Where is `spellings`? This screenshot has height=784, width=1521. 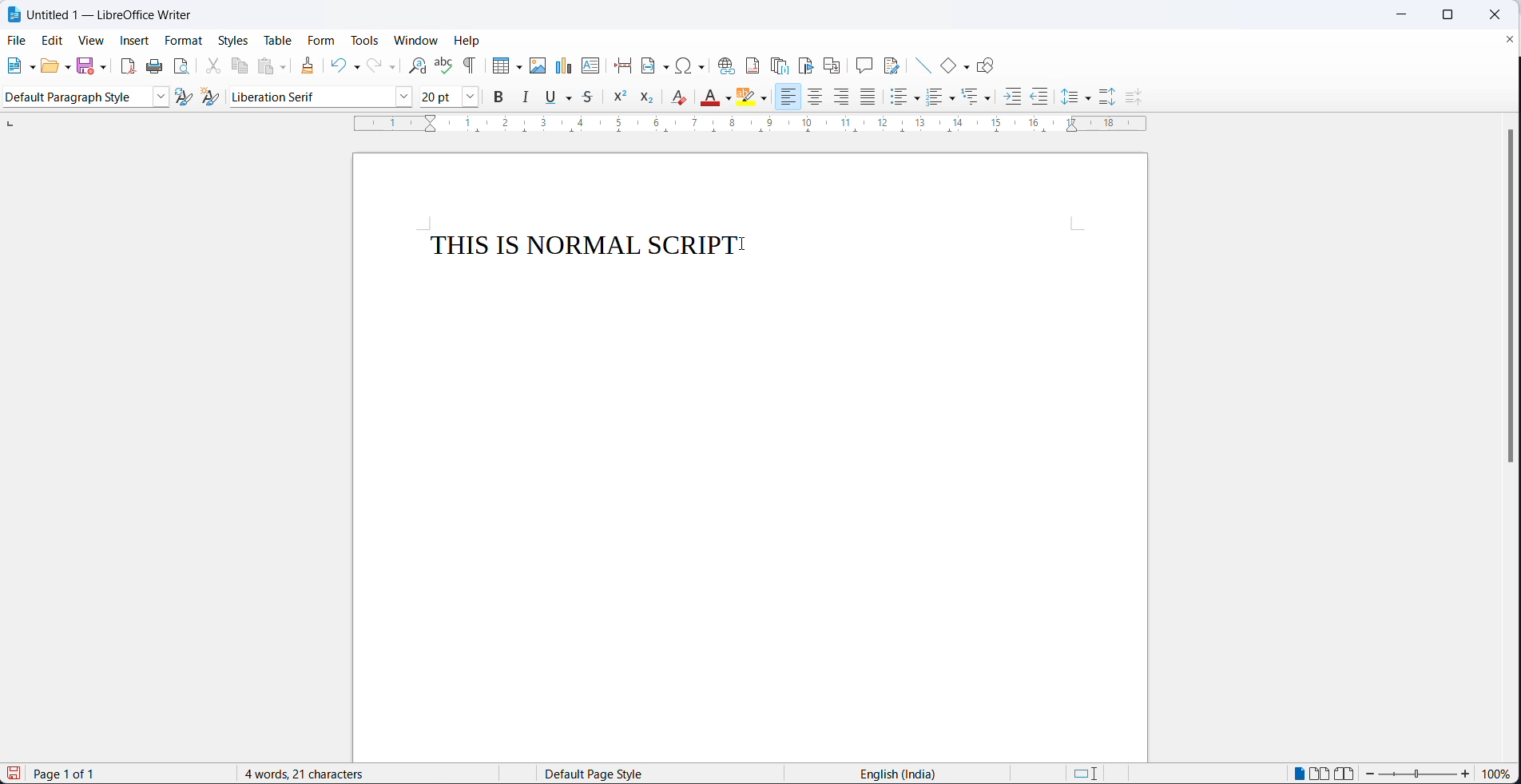
spellings is located at coordinates (442, 65).